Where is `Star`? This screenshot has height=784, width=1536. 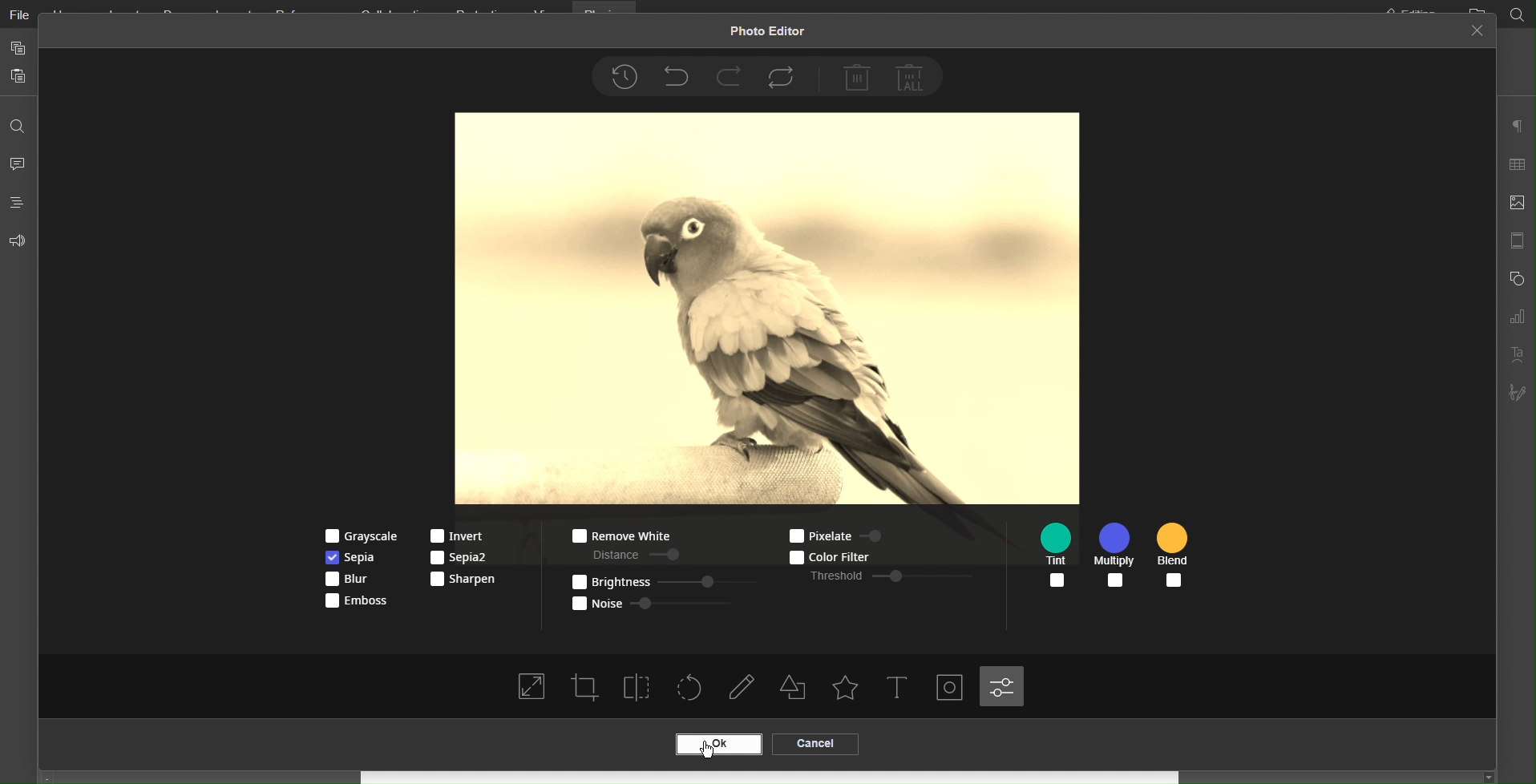 Star is located at coordinates (845, 689).